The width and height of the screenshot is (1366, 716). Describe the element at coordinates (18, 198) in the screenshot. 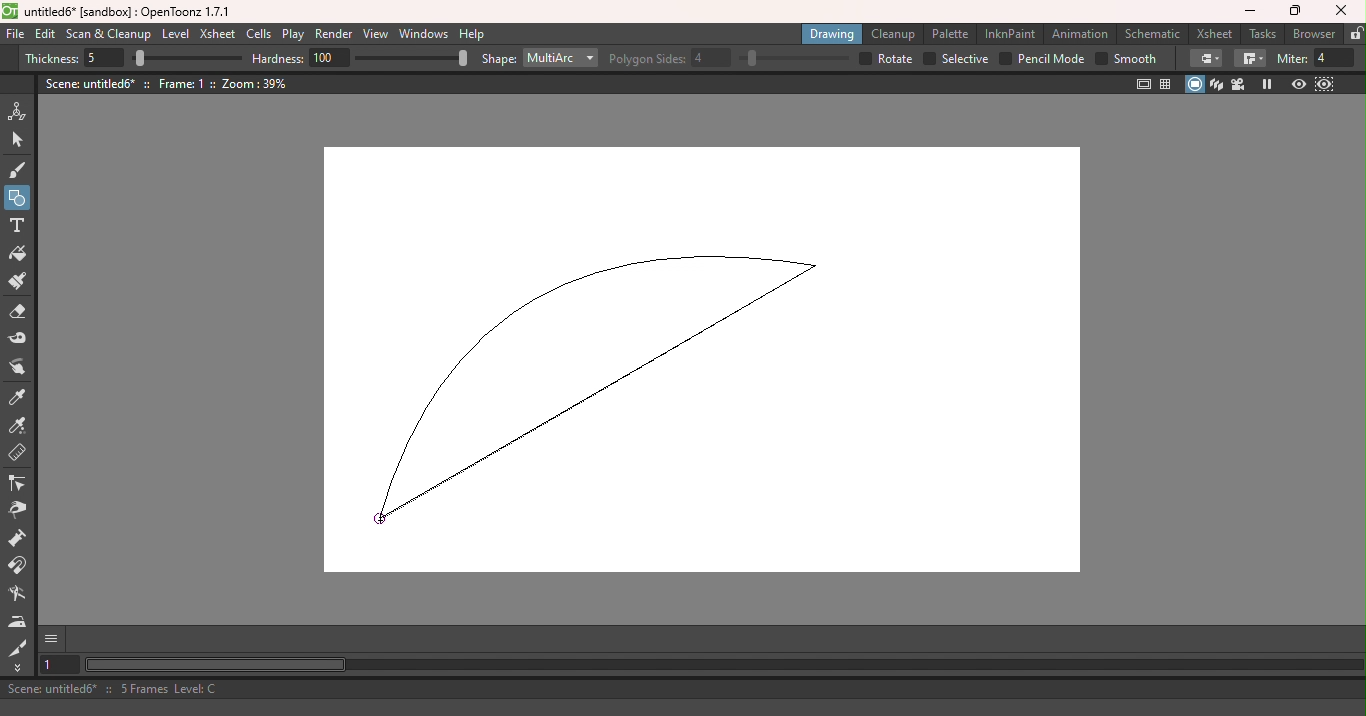

I see `Geometric tool` at that location.